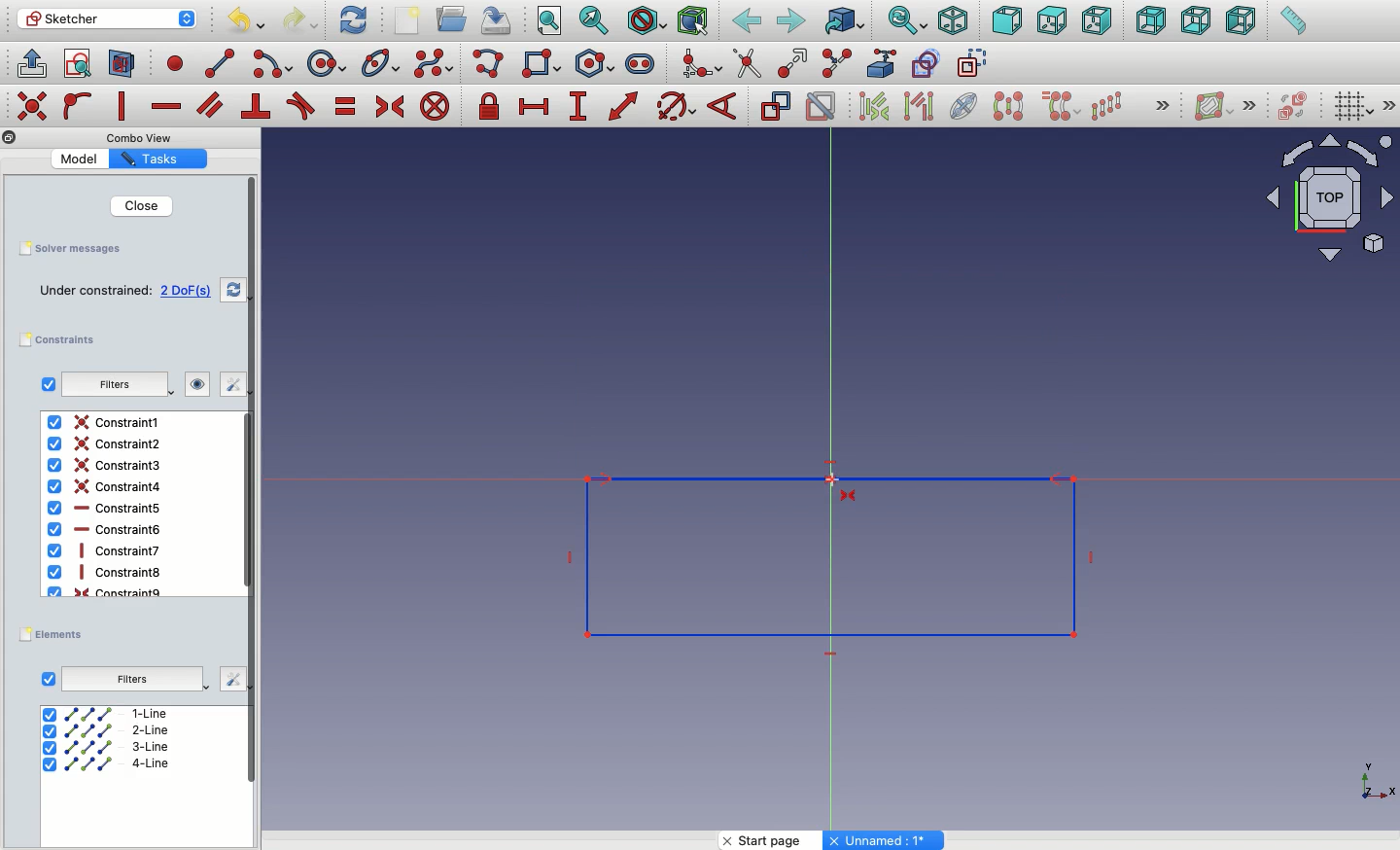 This screenshot has width=1400, height=850. What do you see at coordinates (62, 340) in the screenshot?
I see `constraints` at bounding box center [62, 340].